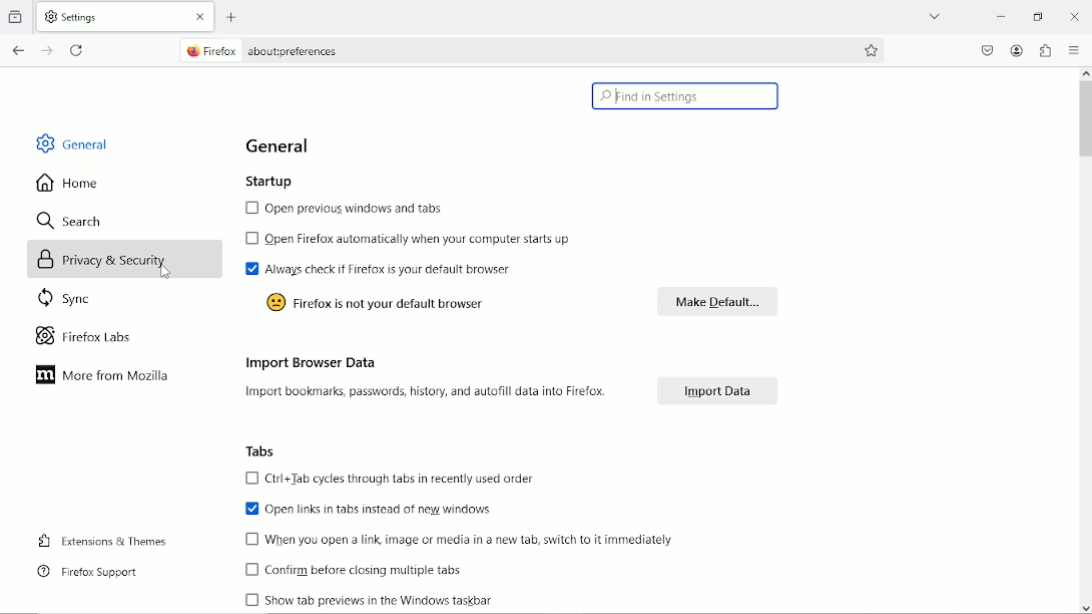 This screenshot has width=1092, height=614. I want to click on text, so click(363, 568).